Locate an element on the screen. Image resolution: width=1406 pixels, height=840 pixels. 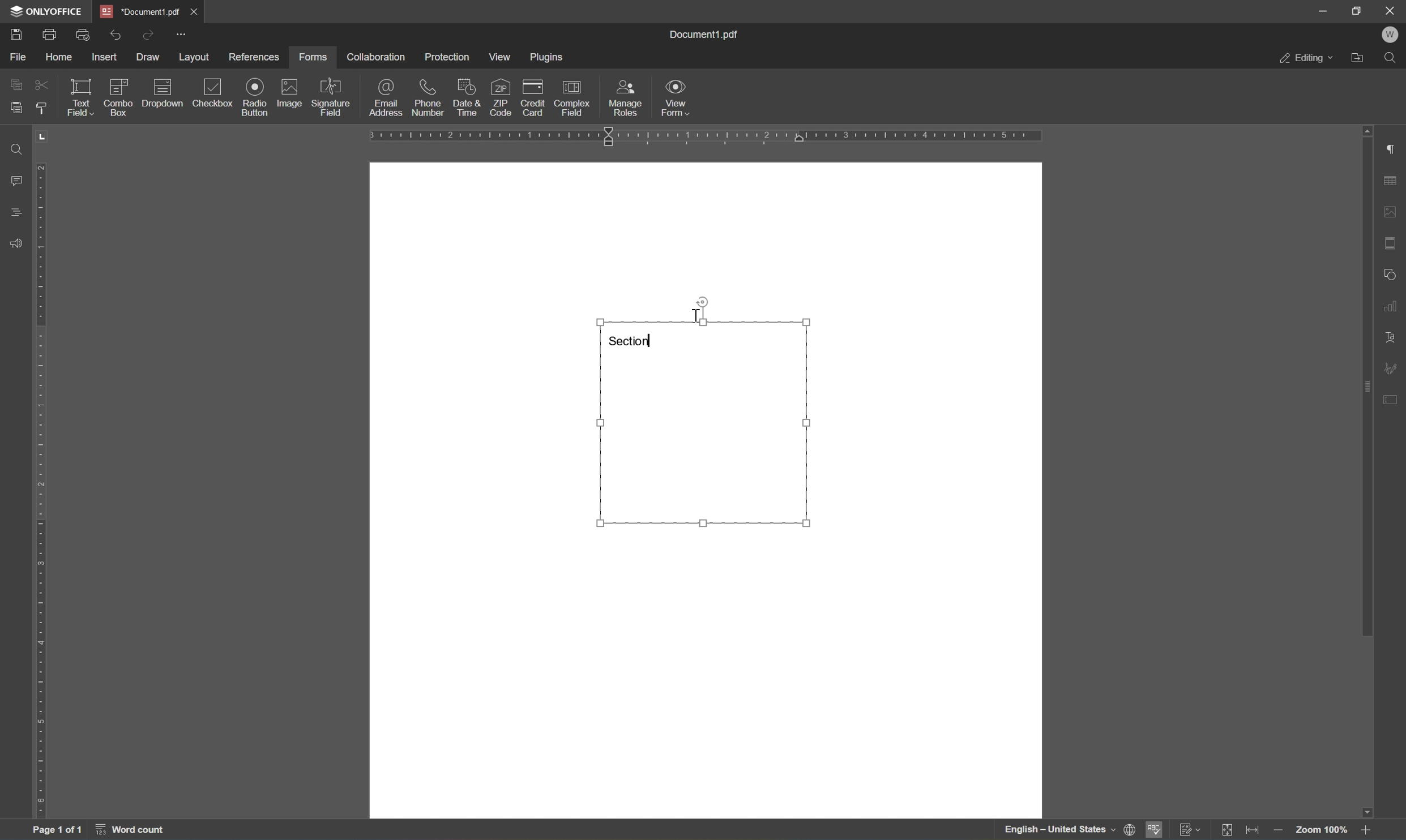
document.pdf is located at coordinates (710, 34).